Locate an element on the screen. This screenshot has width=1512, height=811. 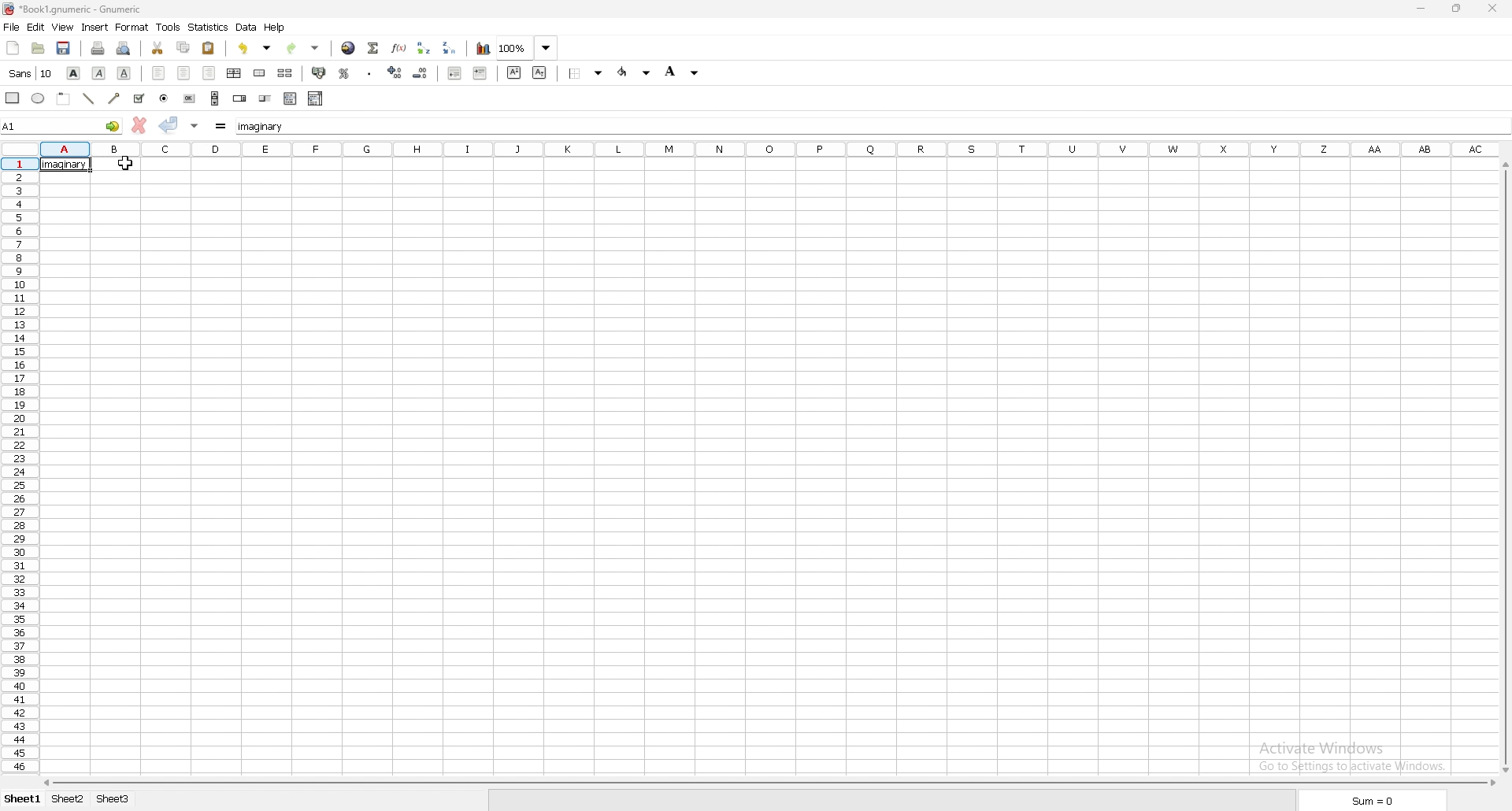
font is located at coordinates (31, 73).